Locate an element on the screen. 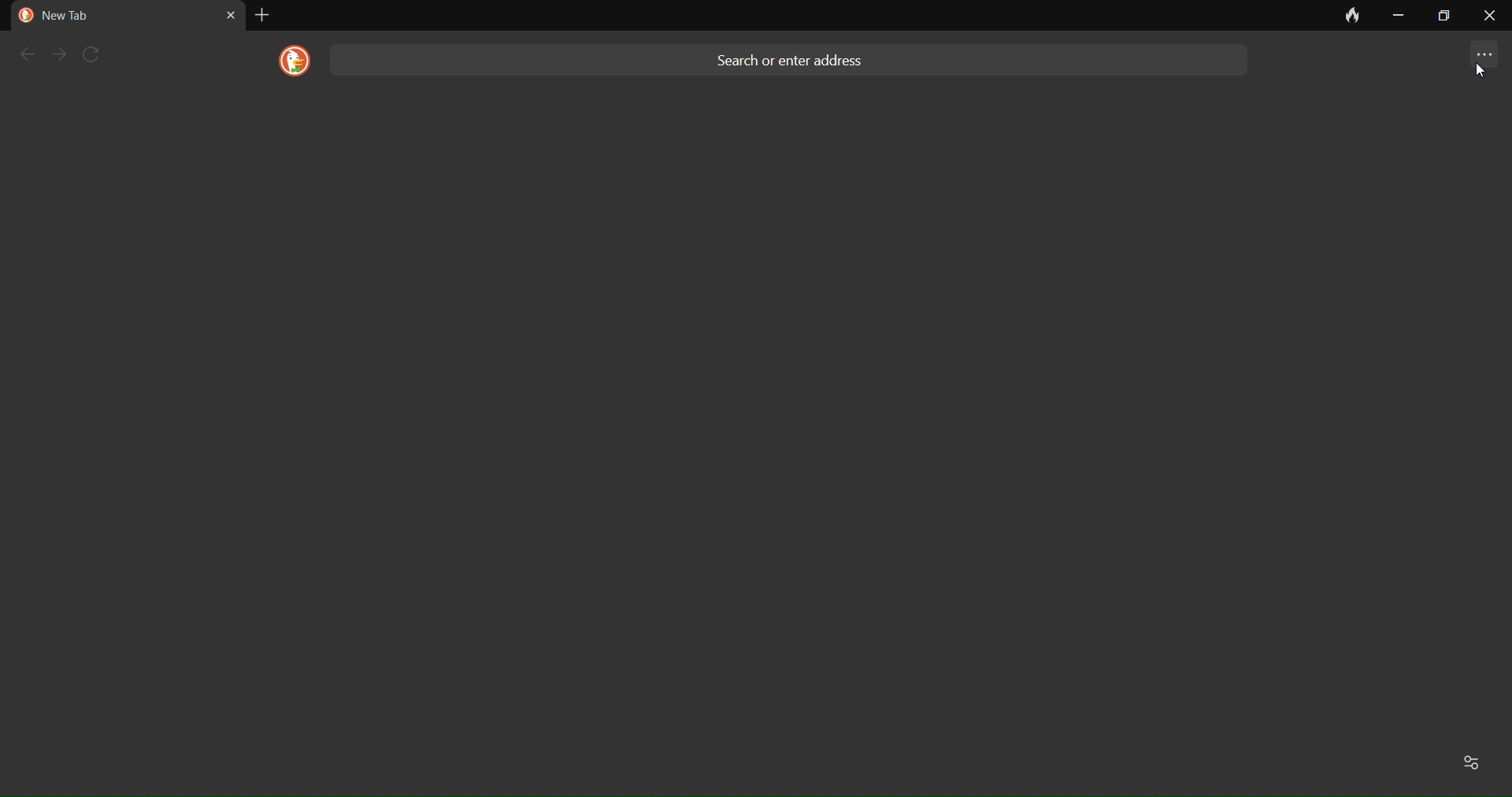 The width and height of the screenshot is (1512, 797). maximize is located at coordinates (1441, 16).